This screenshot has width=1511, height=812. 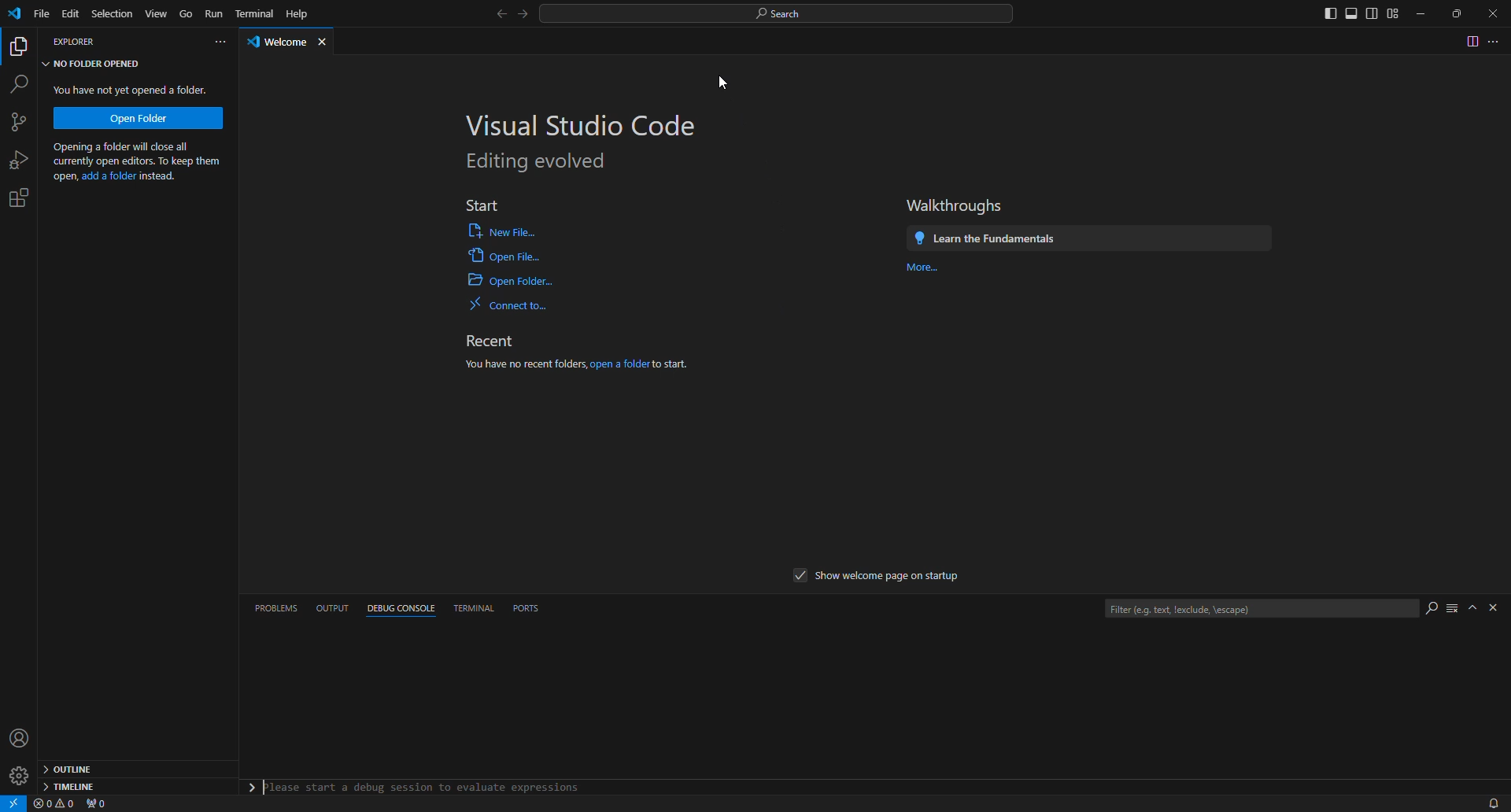 What do you see at coordinates (542, 162) in the screenshot?
I see `Editing evolved` at bounding box center [542, 162].